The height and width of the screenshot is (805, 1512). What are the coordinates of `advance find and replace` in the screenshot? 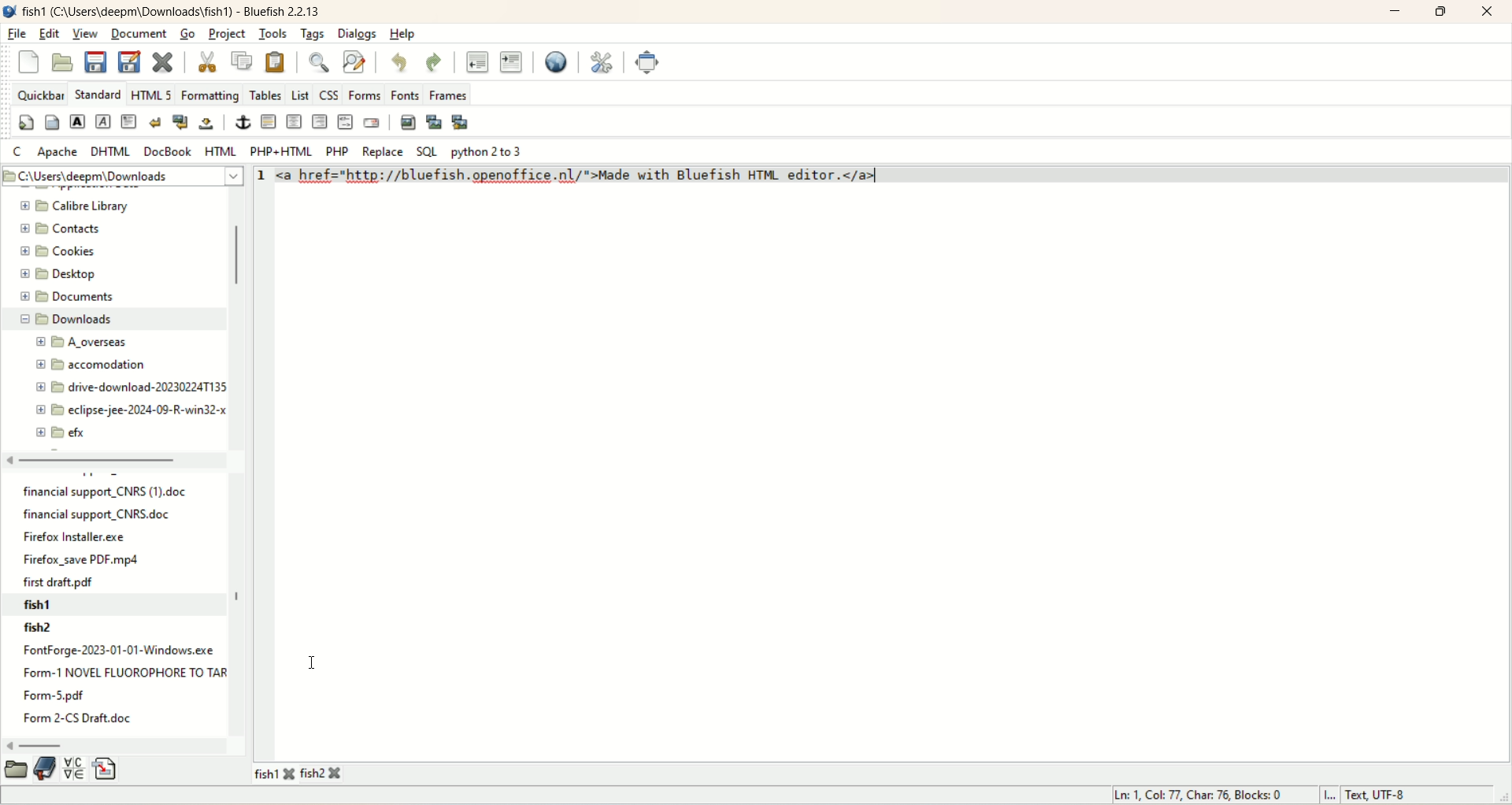 It's located at (356, 62).